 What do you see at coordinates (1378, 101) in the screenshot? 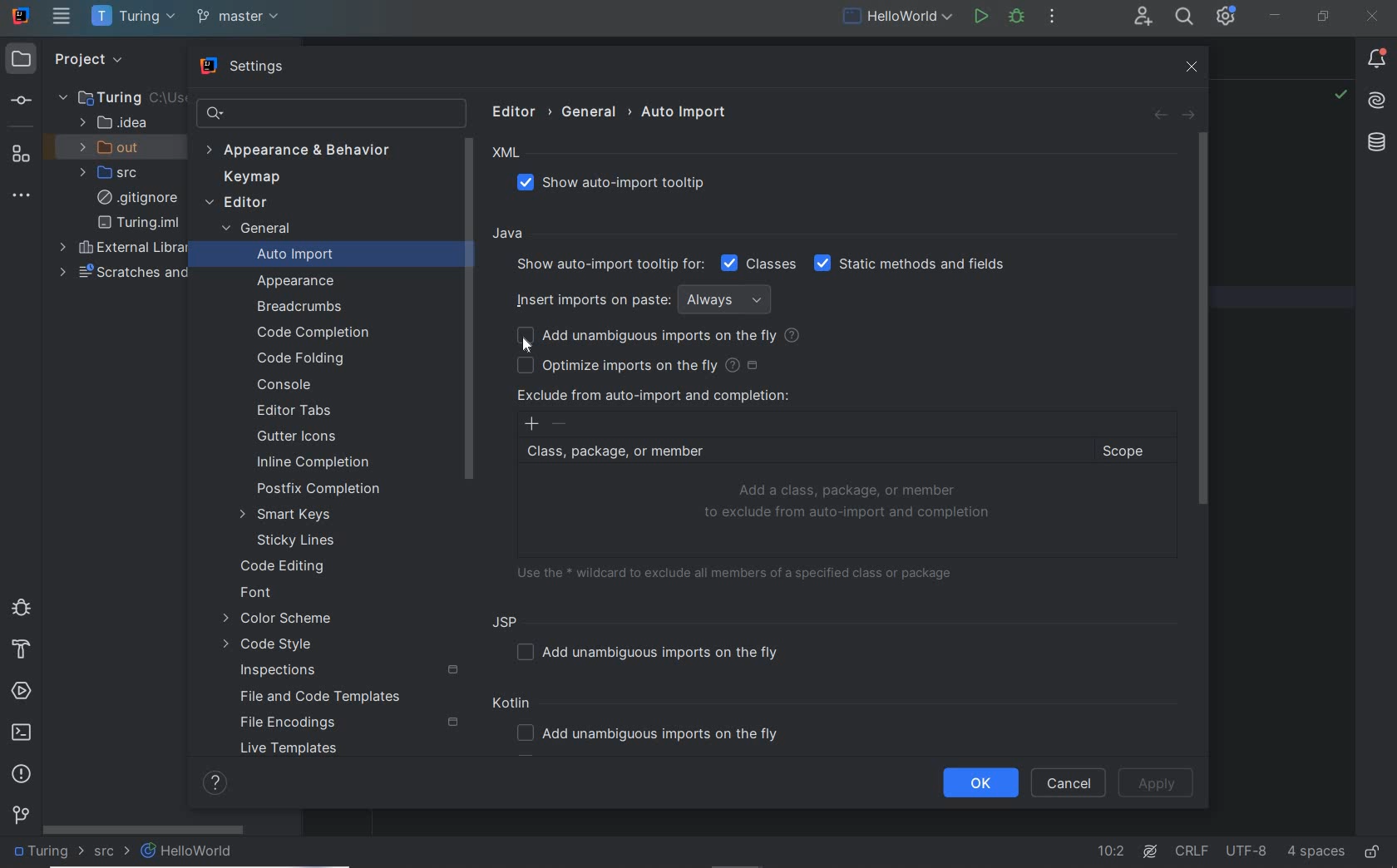
I see `AI Assistant` at bounding box center [1378, 101].